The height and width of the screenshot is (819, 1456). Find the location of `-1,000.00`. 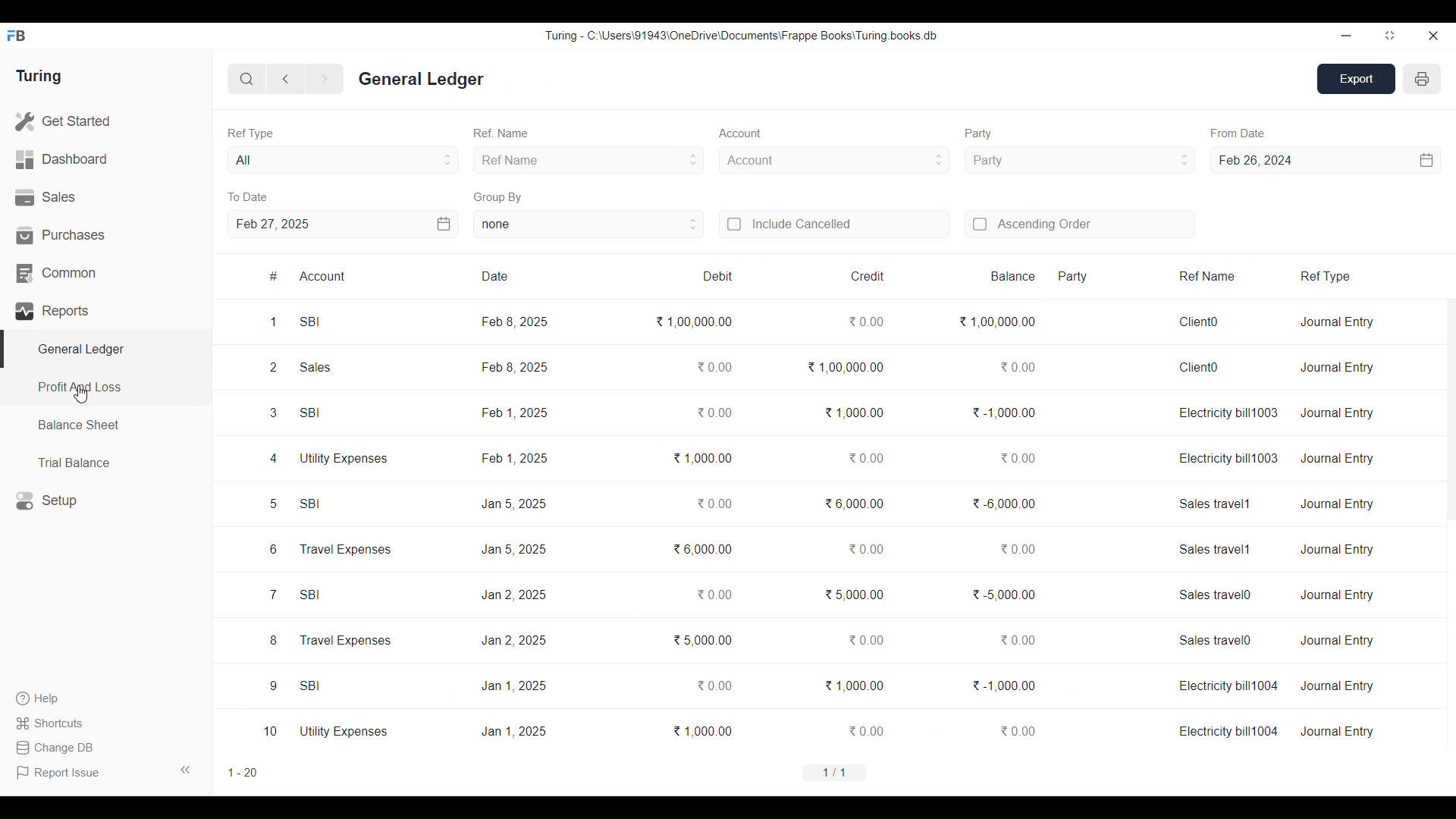

-1,000.00 is located at coordinates (1005, 413).